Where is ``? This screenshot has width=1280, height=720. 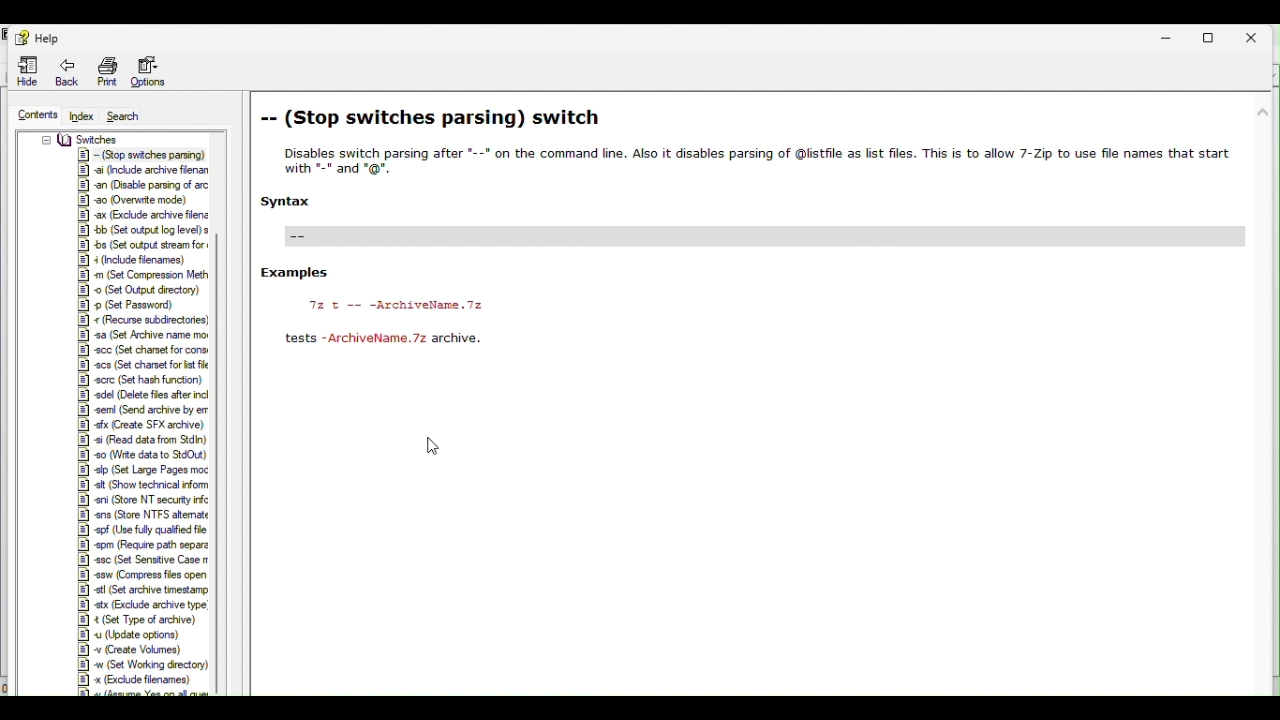
 is located at coordinates (83, 138).